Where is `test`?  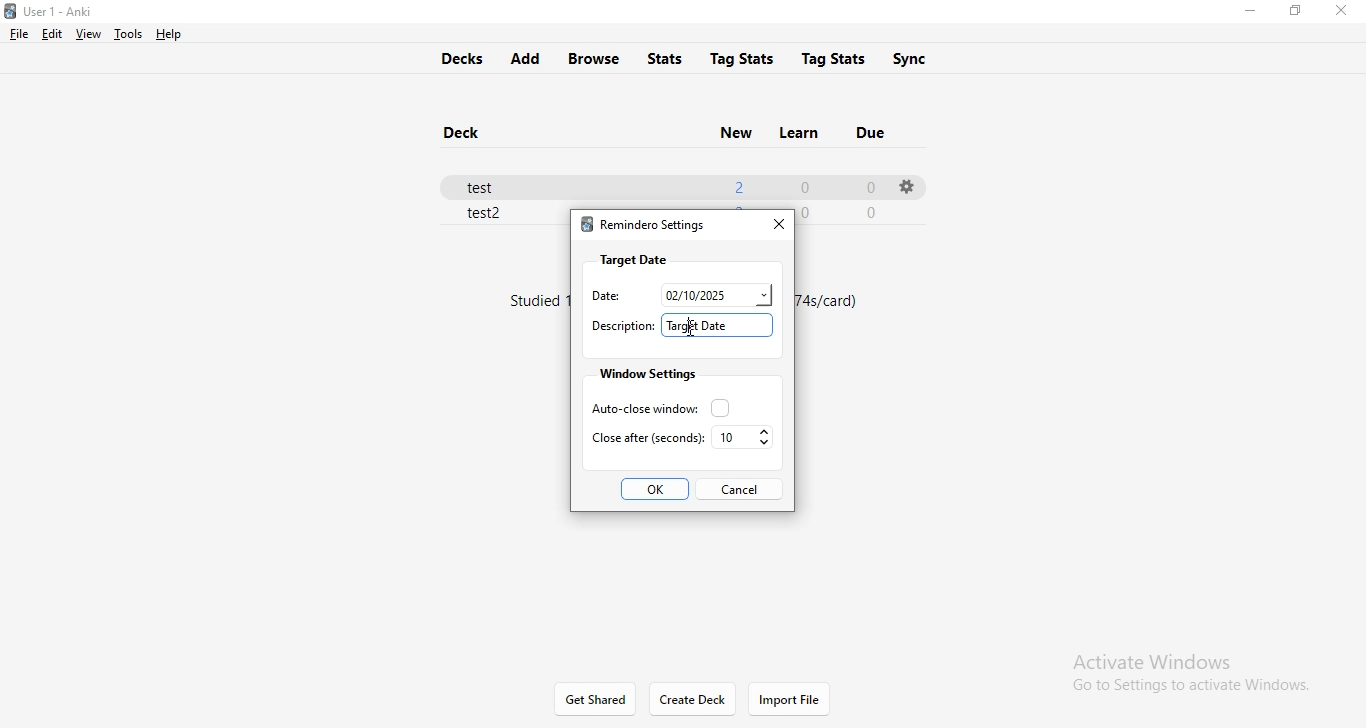
test is located at coordinates (489, 184).